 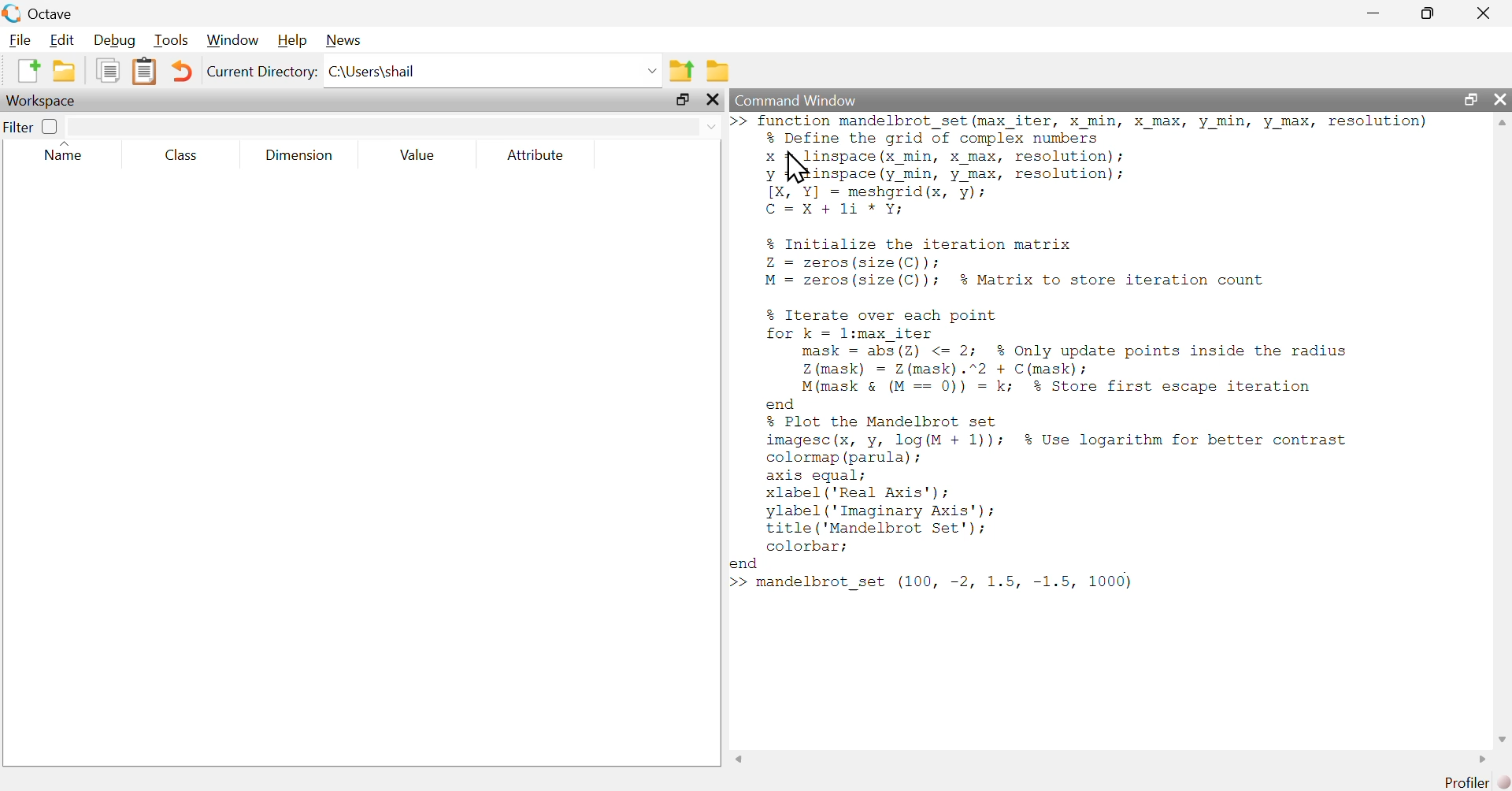 I want to click on Scrollbar right, so click(x=1479, y=759).